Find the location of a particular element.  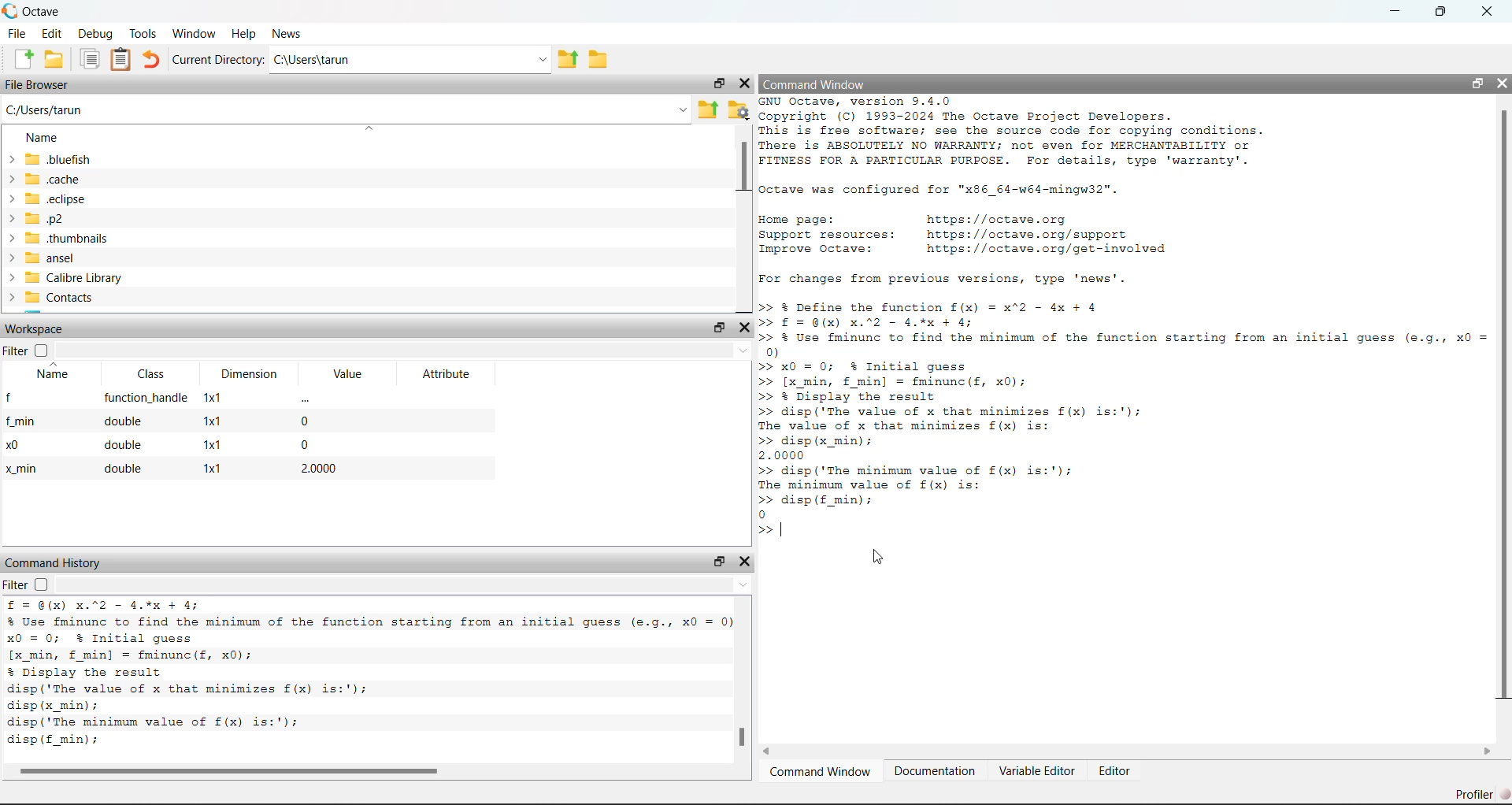

f function_handle 1x1 -
f_min double x1 0
x0 double x1 0
x_min double x1 2.0000 is located at coordinates (252, 439).